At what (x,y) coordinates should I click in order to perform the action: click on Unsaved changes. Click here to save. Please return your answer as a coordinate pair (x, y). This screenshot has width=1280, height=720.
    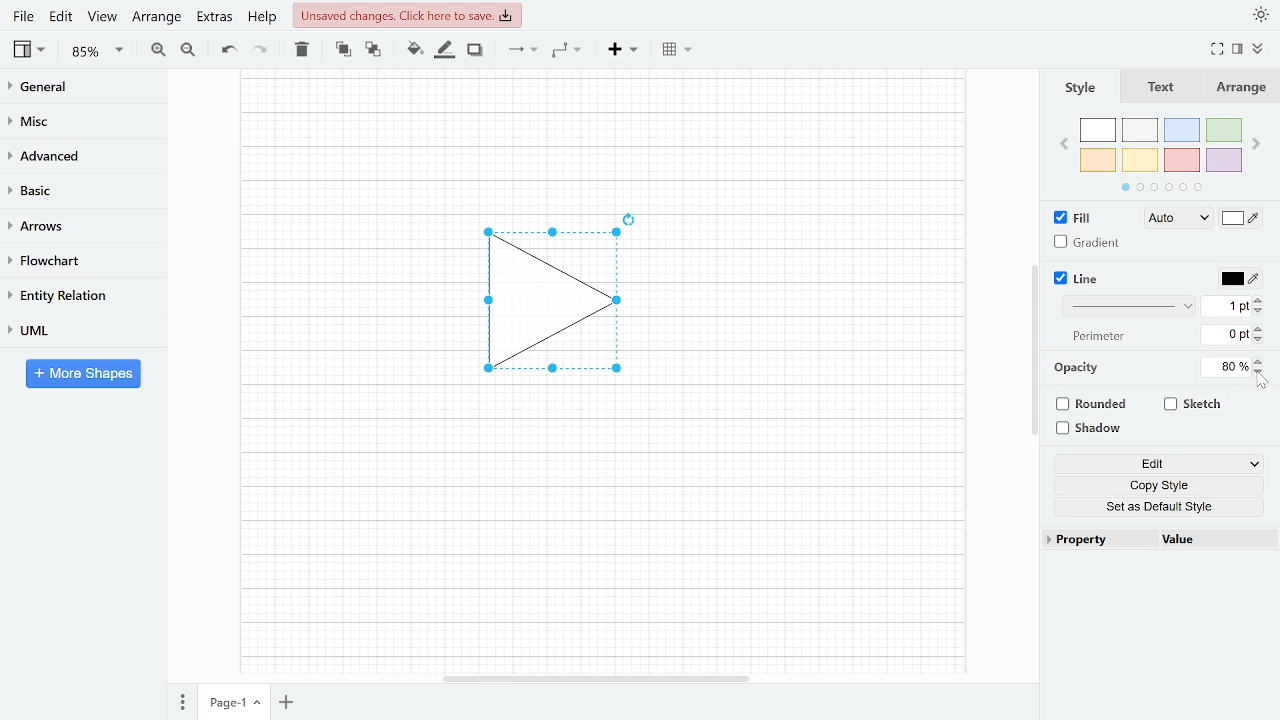
    Looking at the image, I should click on (410, 15).